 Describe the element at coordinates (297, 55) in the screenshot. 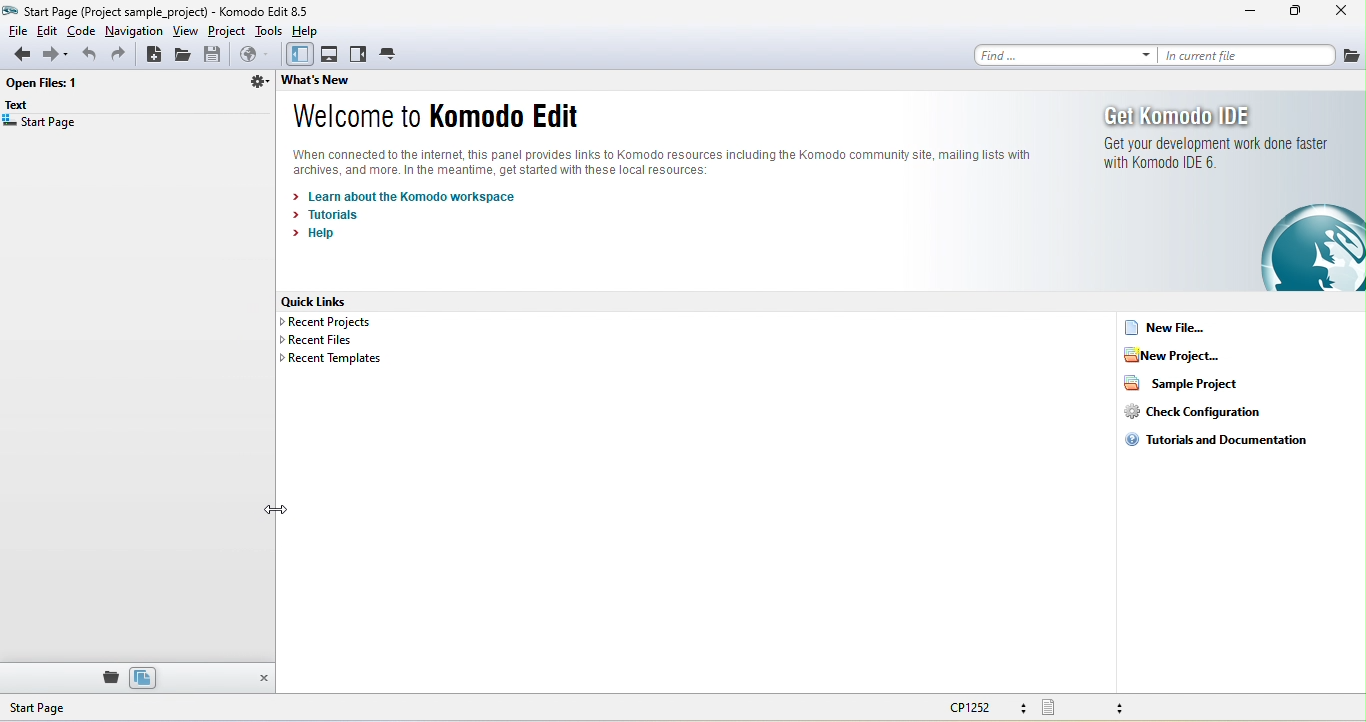

I see `left pane` at that location.